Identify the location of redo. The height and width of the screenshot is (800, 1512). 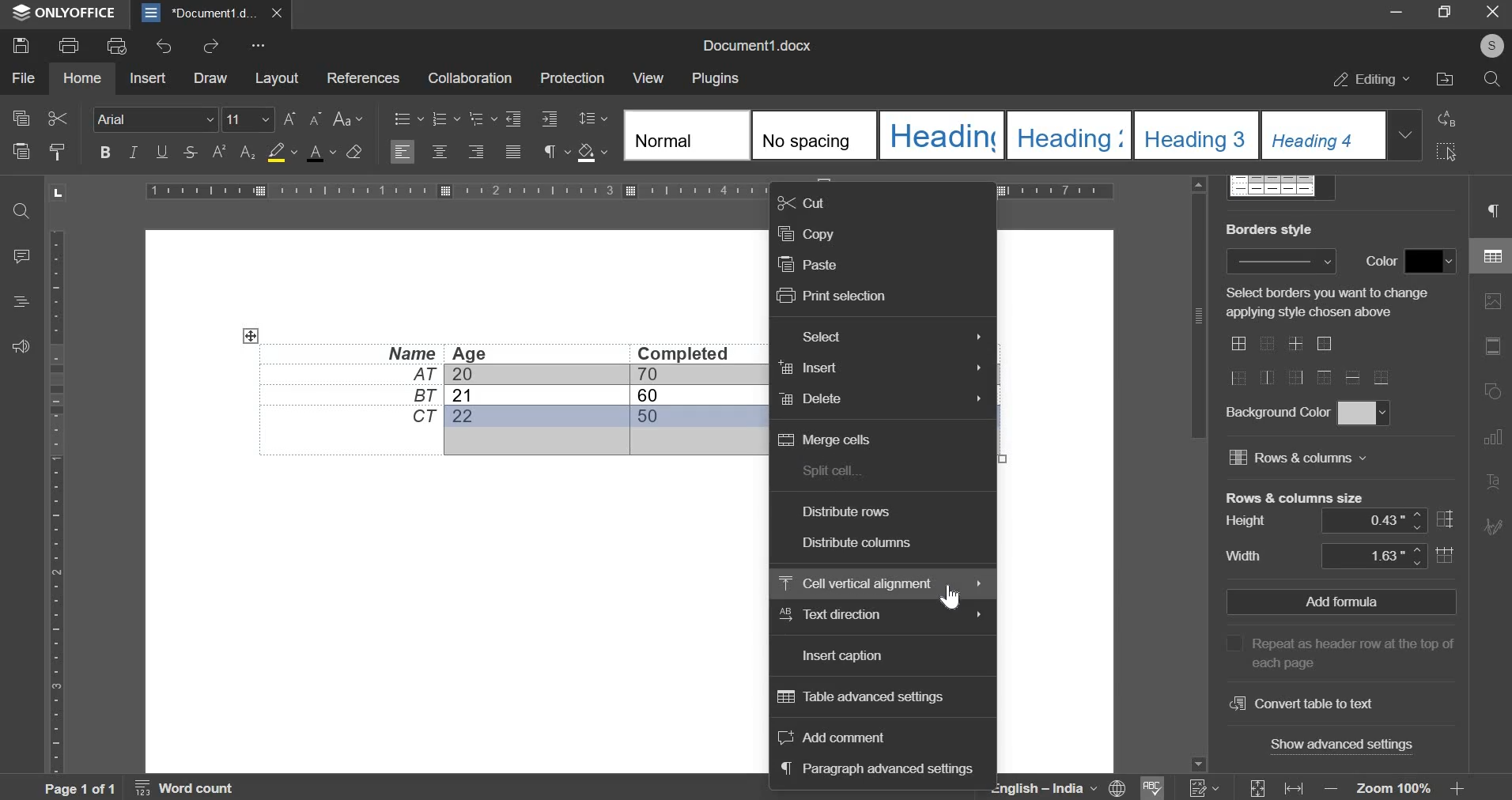
(211, 48).